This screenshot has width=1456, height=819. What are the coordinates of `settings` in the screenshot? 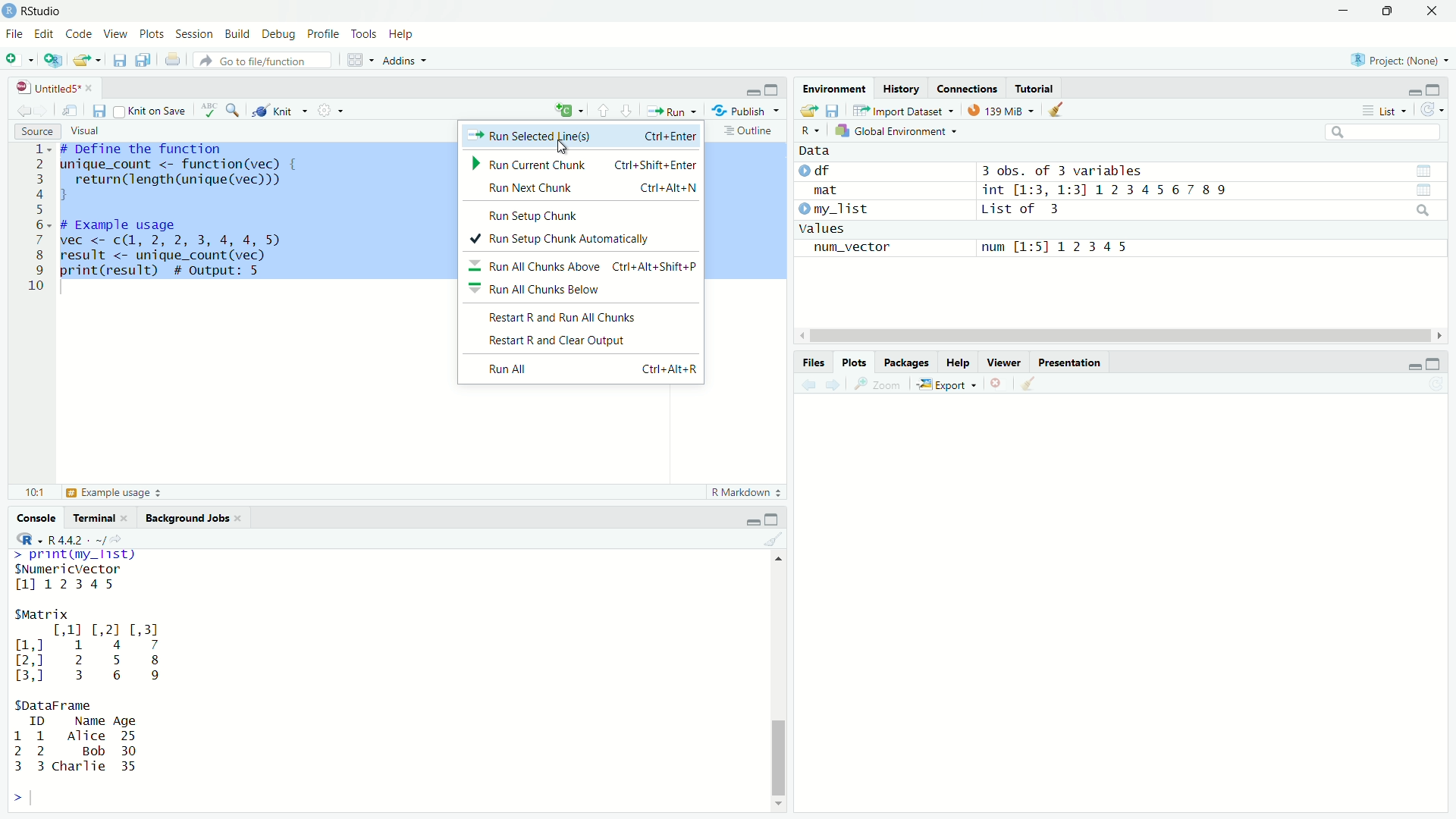 It's located at (328, 110).